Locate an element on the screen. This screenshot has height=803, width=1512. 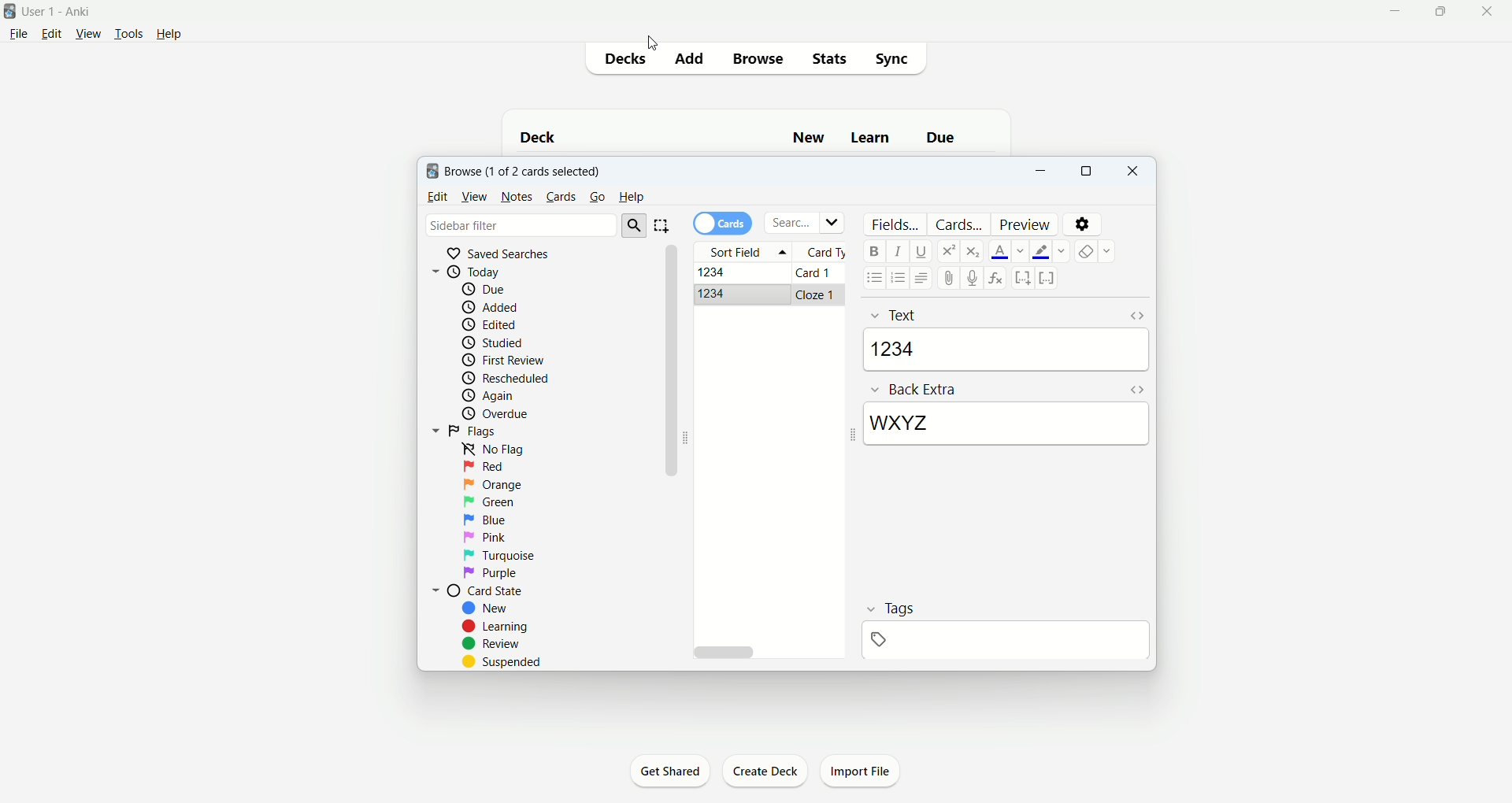
maximize is located at coordinates (1447, 12).